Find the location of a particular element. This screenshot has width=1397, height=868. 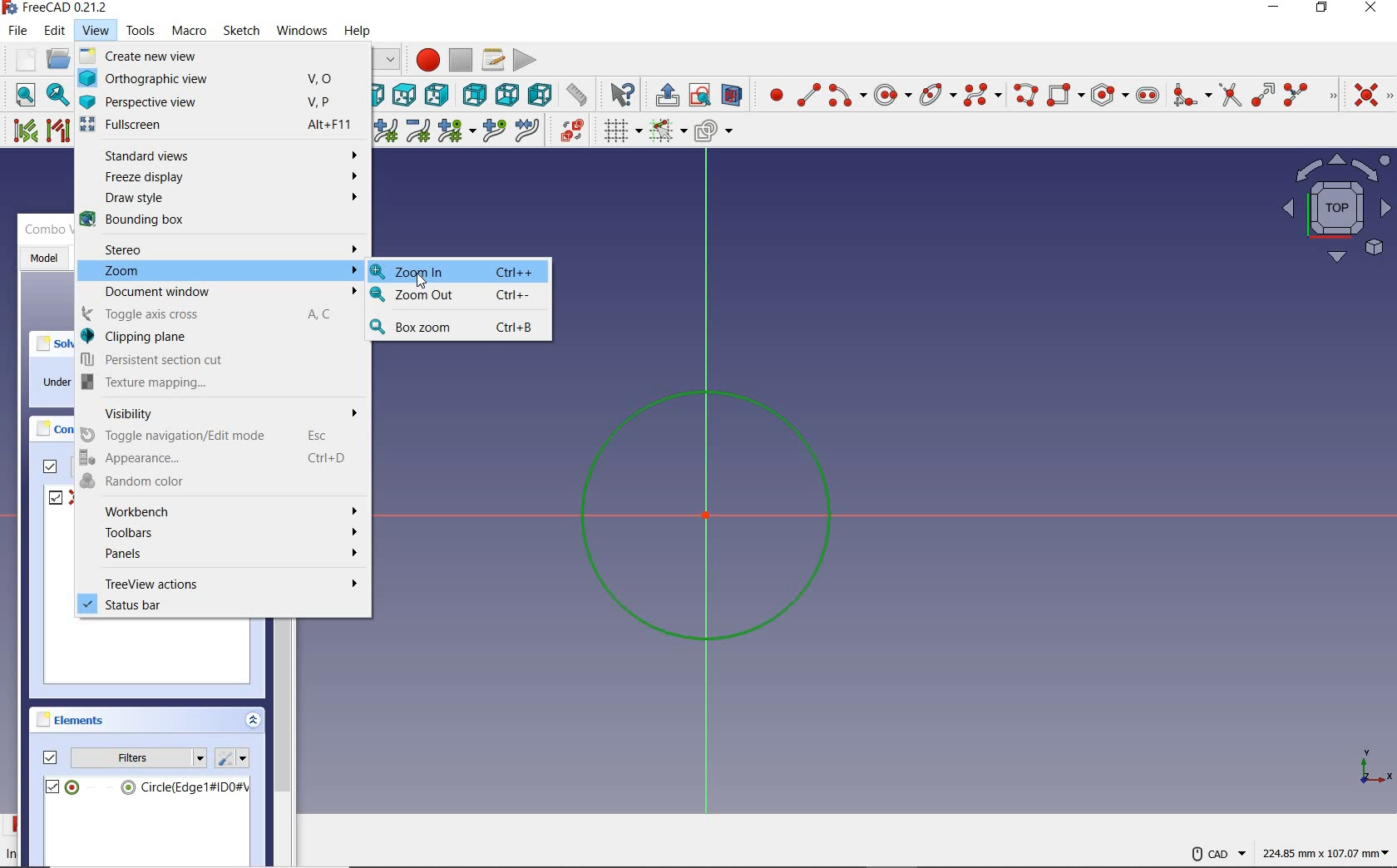

macros is located at coordinates (493, 60).